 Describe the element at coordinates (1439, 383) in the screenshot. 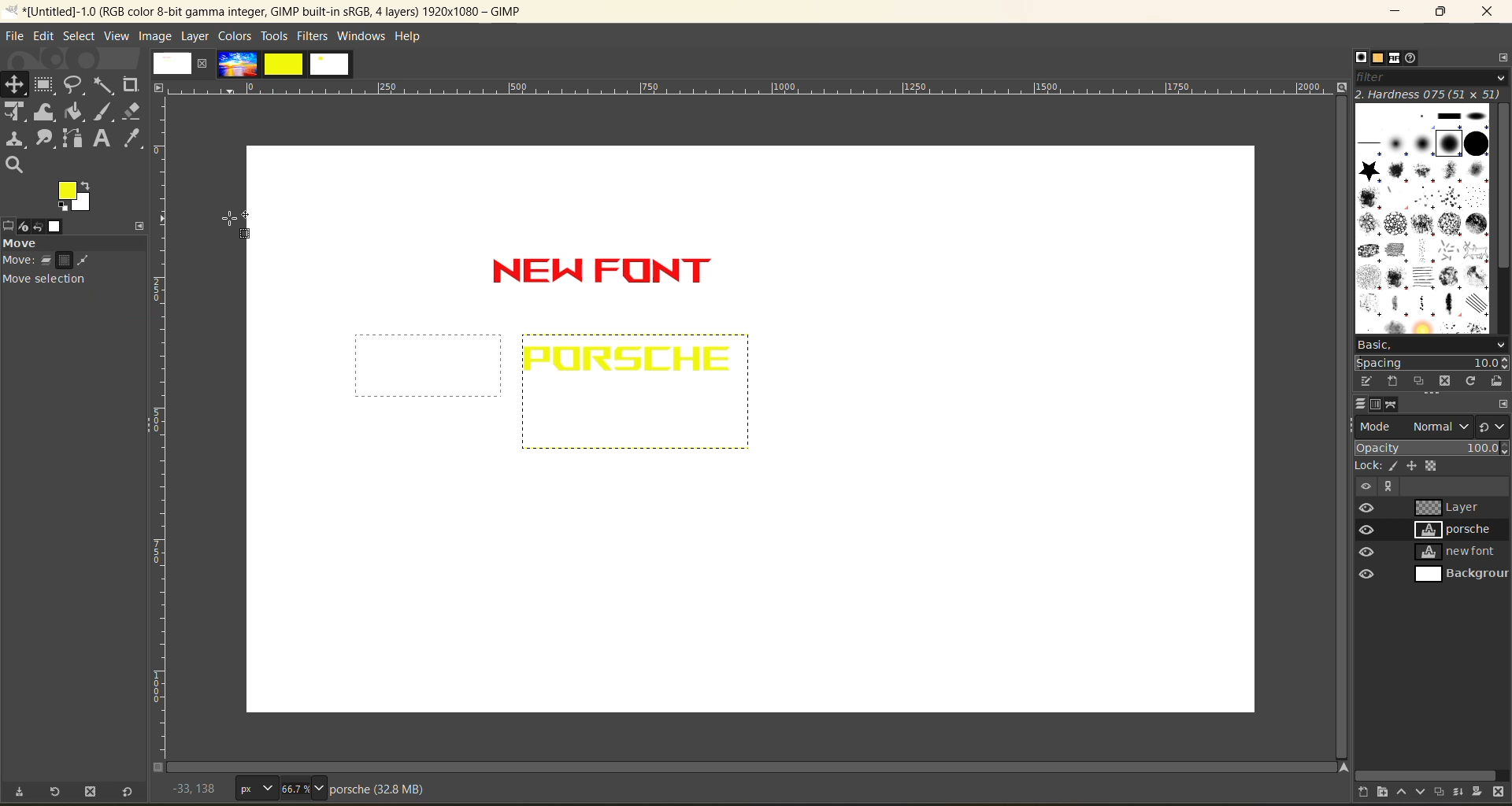

I see `delete this brush` at that location.